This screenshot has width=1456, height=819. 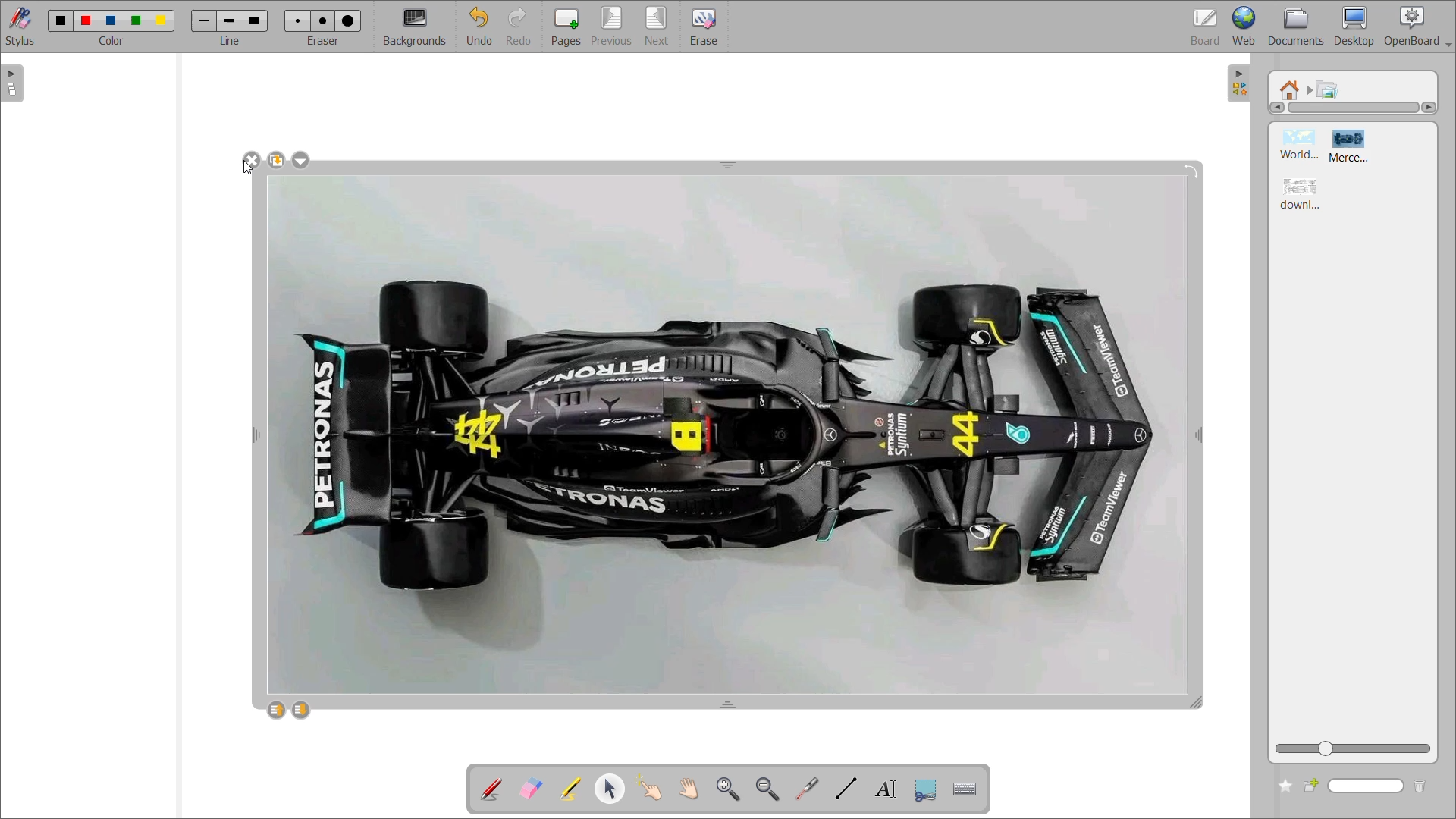 I want to click on line 2, so click(x=227, y=20).